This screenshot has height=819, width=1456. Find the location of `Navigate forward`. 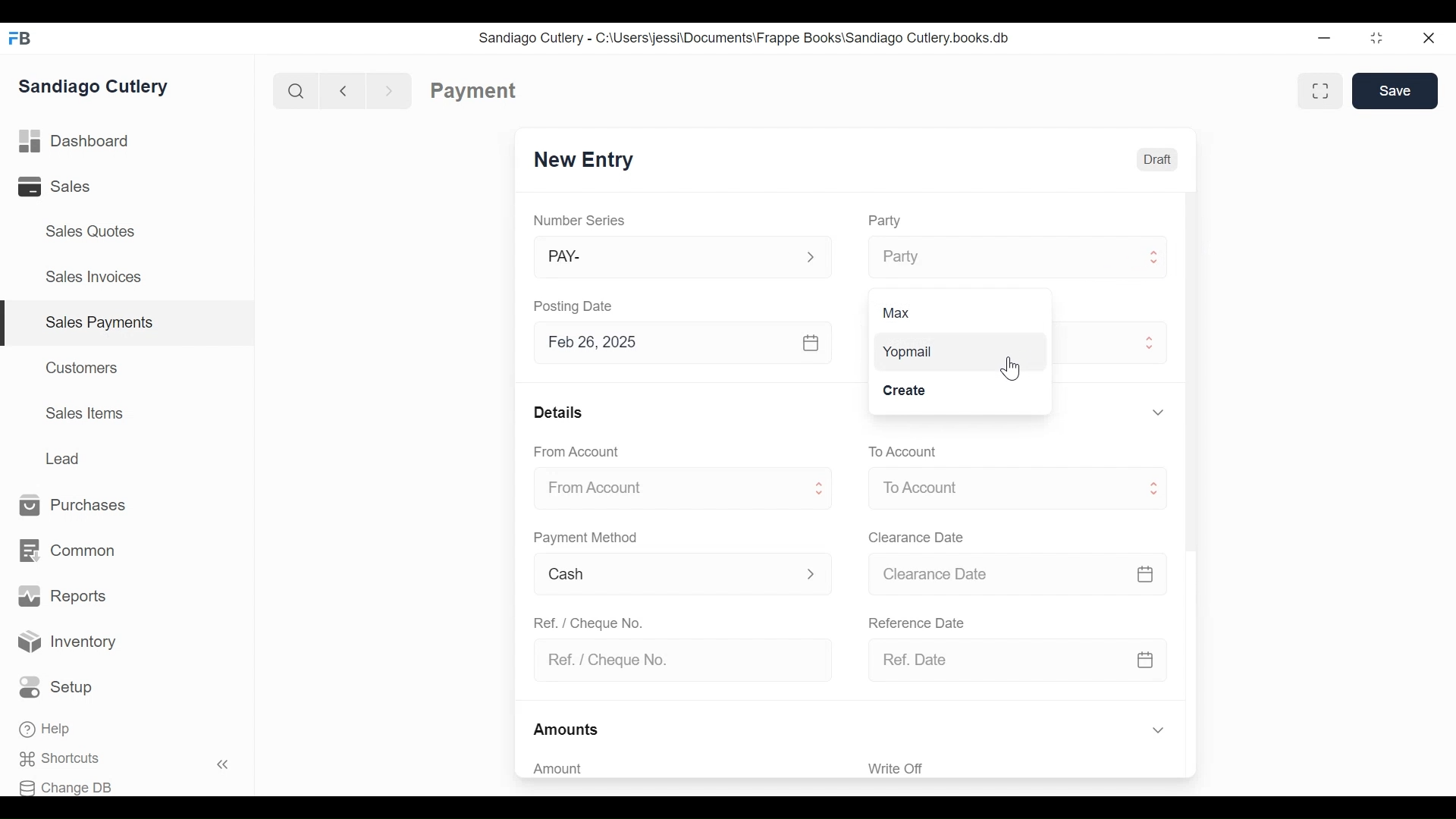

Navigate forward is located at coordinates (390, 89).